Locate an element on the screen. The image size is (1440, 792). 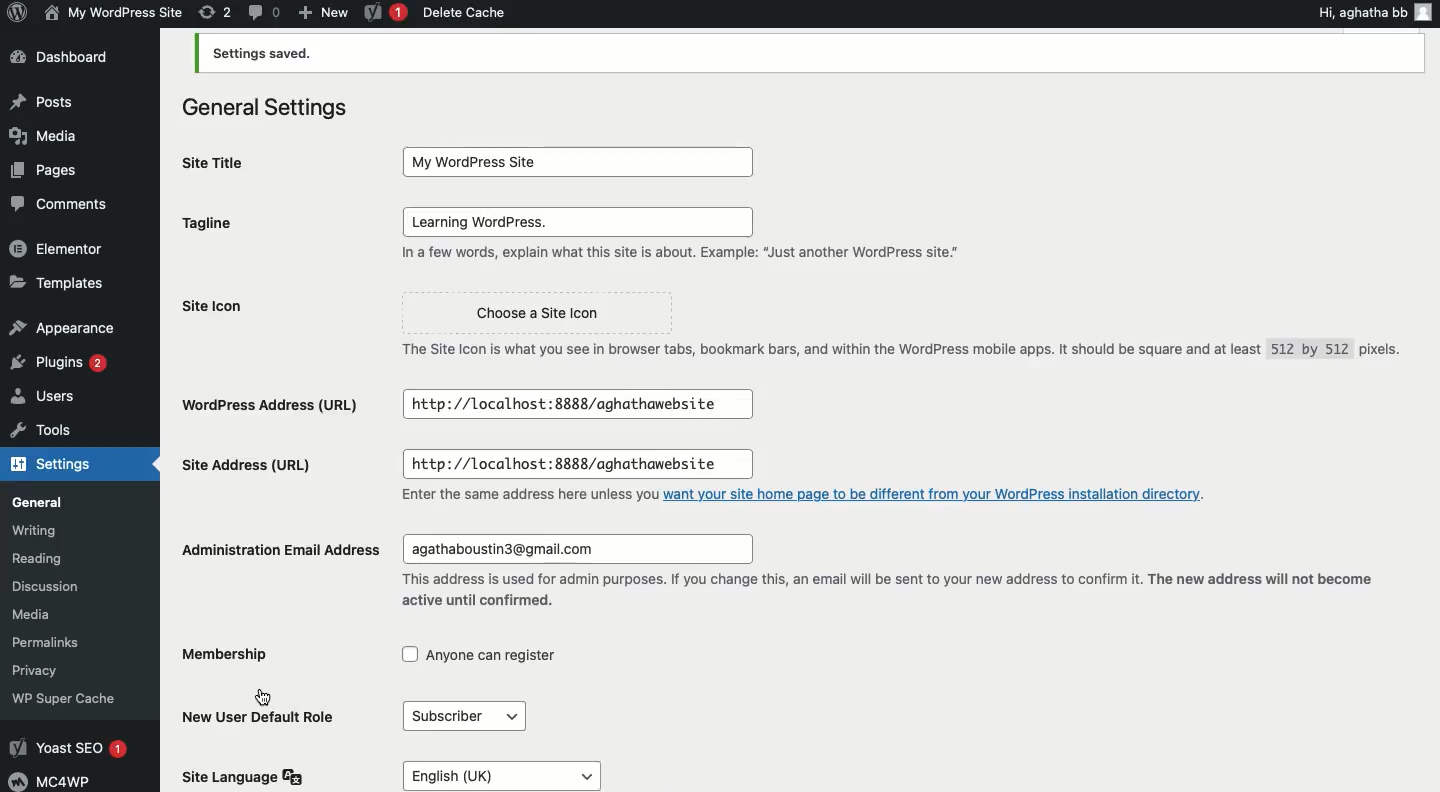
Post is located at coordinates (43, 100).